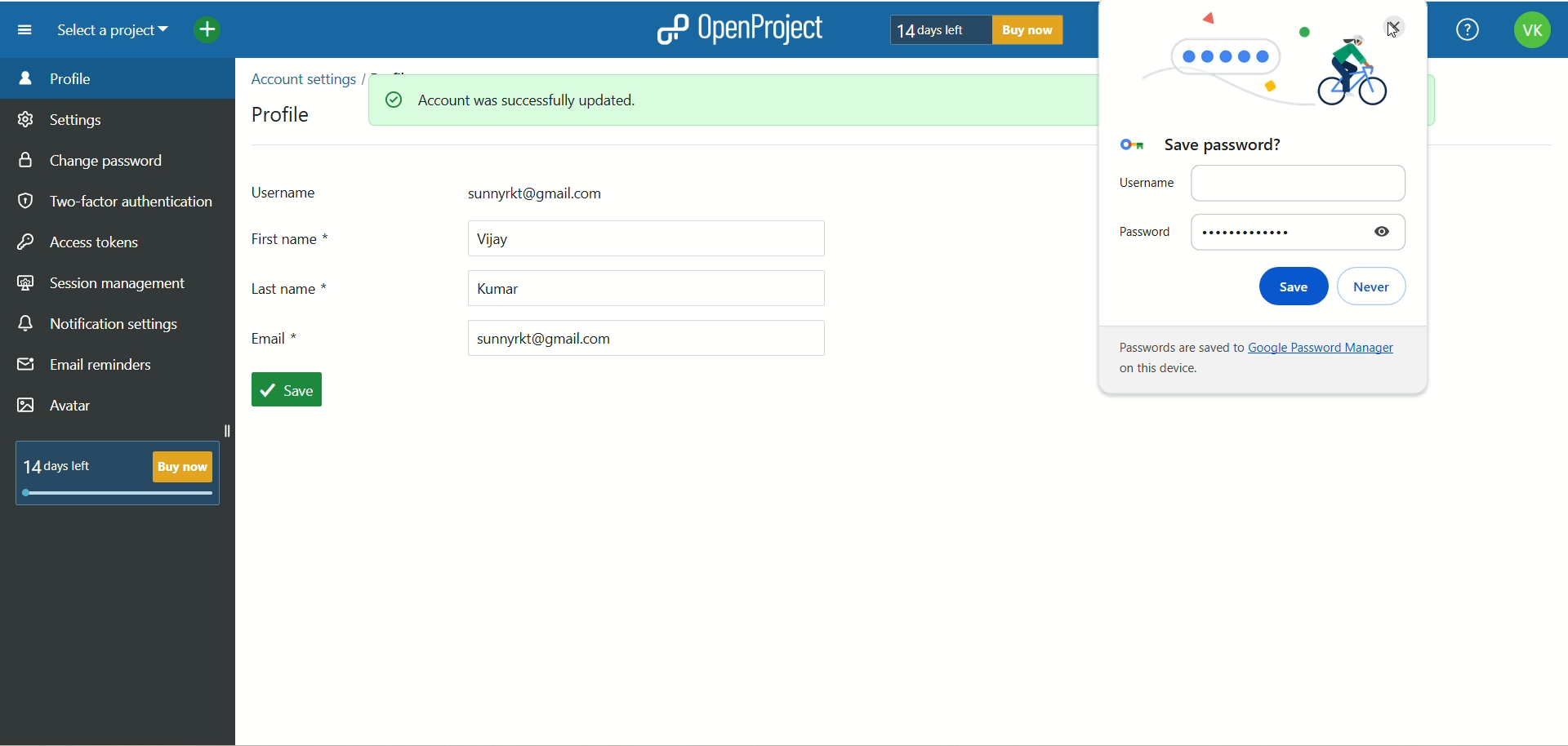 This screenshot has height=746, width=1568. Describe the element at coordinates (100, 325) in the screenshot. I see `notification settings` at that location.